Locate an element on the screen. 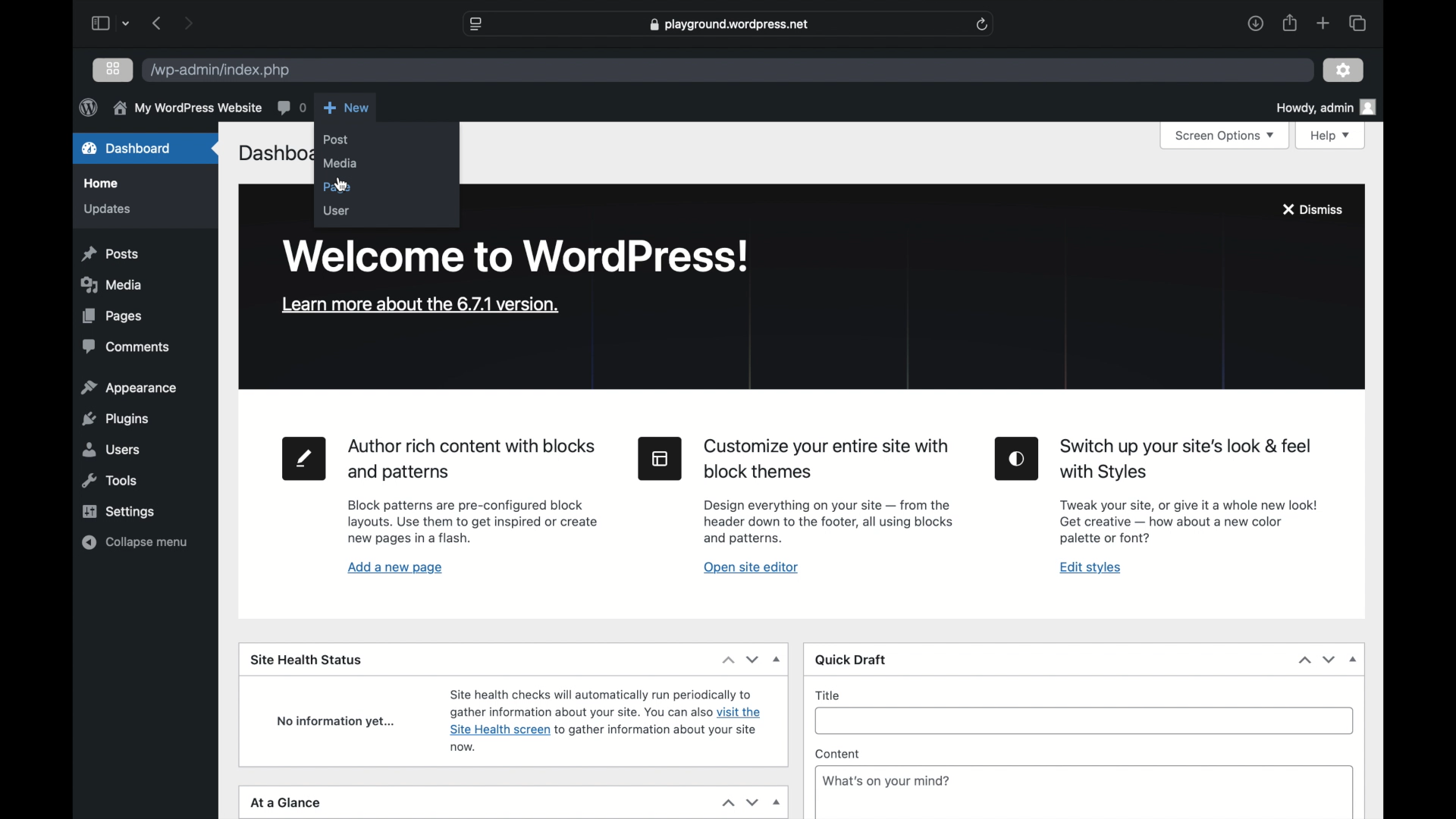  updates is located at coordinates (106, 210).